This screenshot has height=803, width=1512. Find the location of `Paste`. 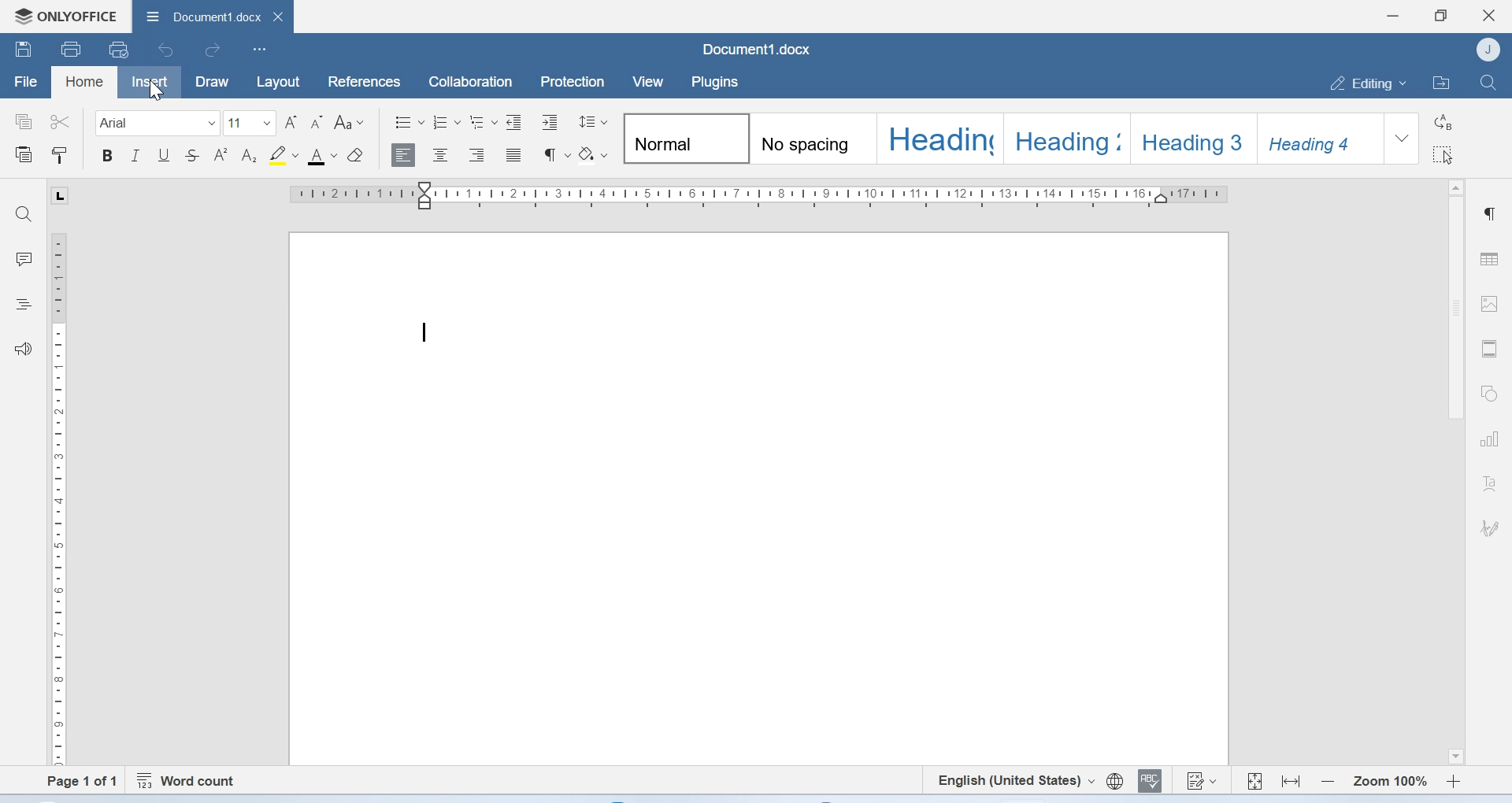

Paste is located at coordinates (24, 156).